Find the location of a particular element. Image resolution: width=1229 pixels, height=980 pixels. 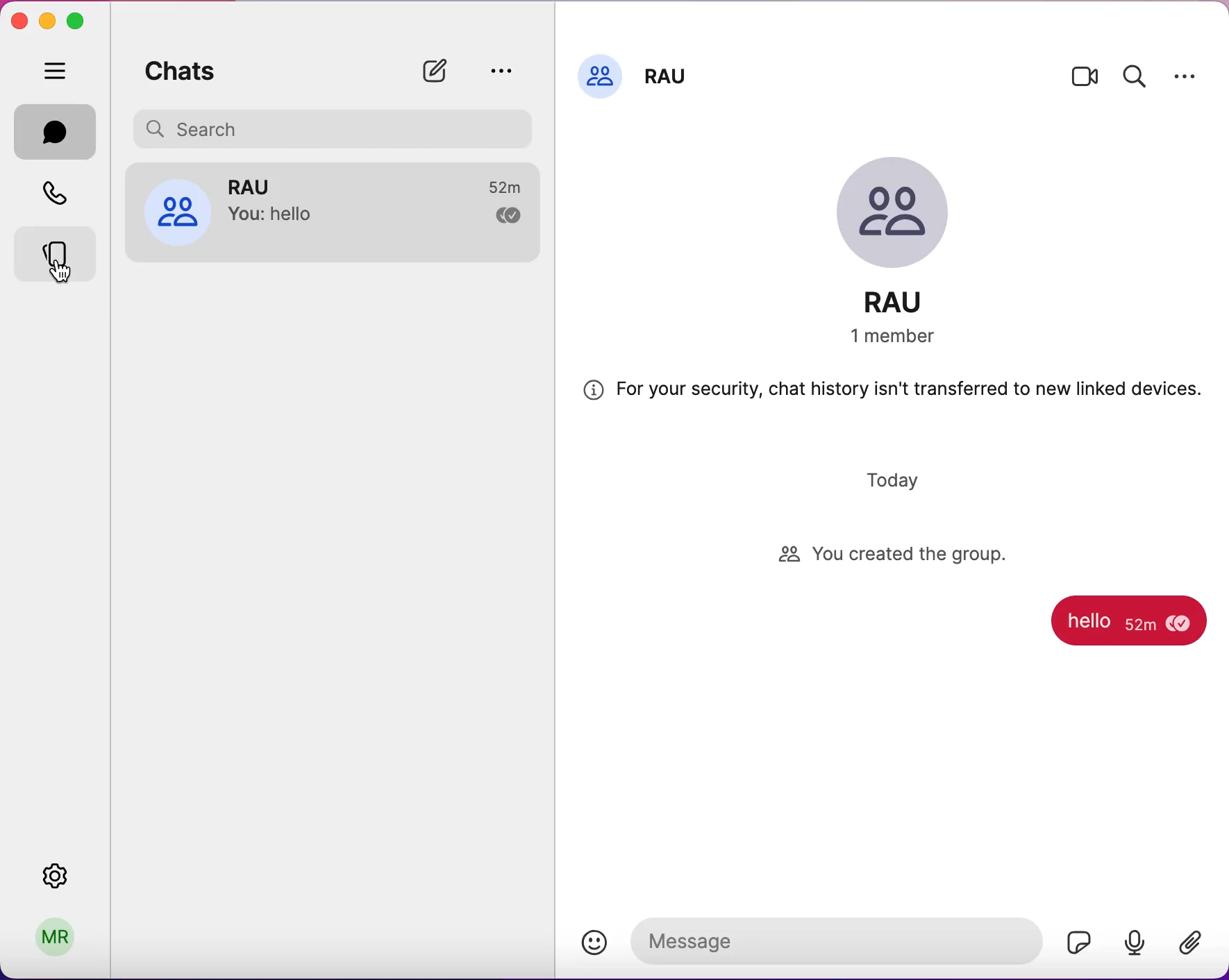

for your security, chat history isn't transferred is located at coordinates (898, 394).